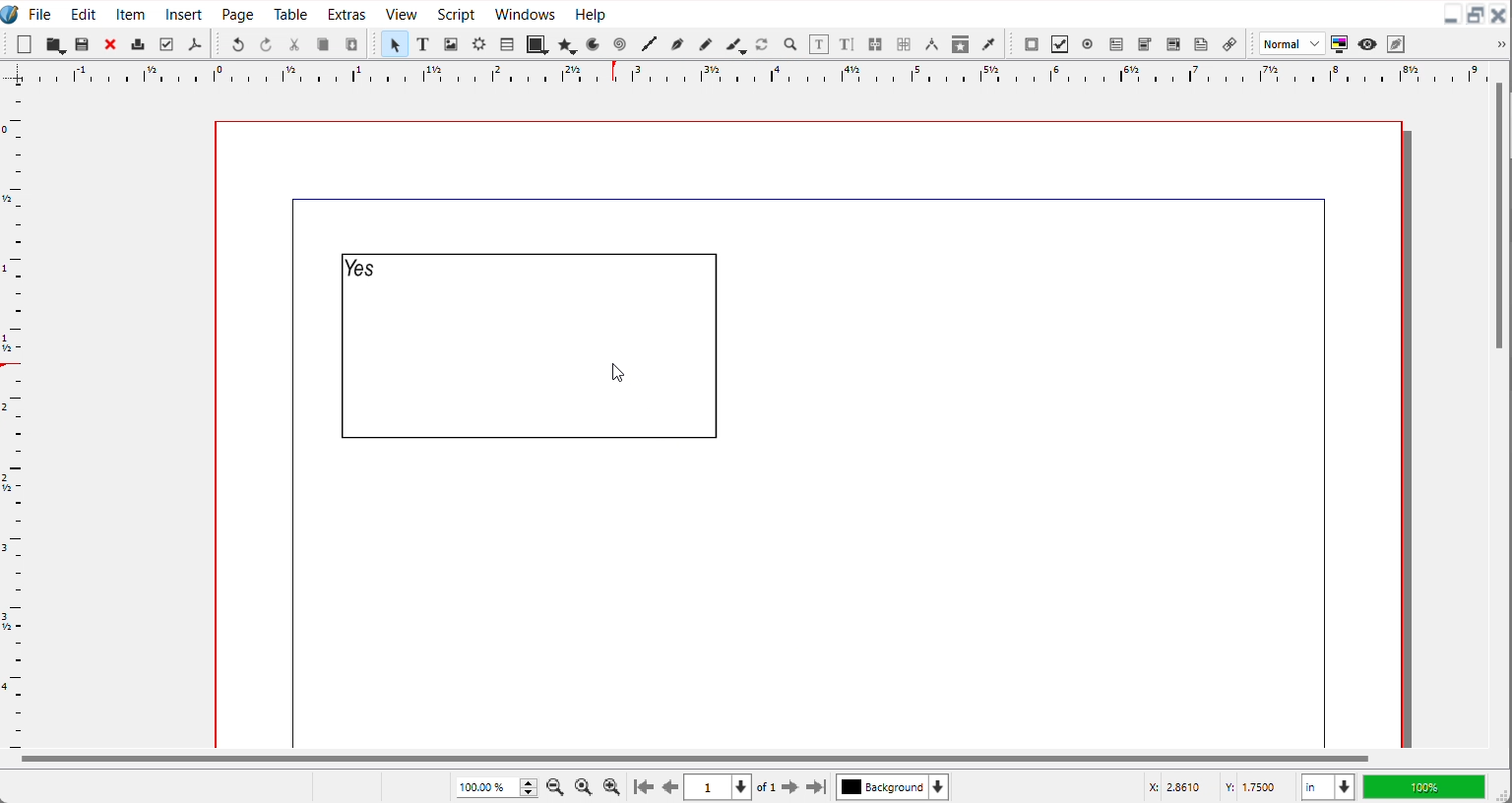 This screenshot has height=803, width=1512. Describe the element at coordinates (788, 43) in the screenshot. I see `Zoom in or out` at that location.